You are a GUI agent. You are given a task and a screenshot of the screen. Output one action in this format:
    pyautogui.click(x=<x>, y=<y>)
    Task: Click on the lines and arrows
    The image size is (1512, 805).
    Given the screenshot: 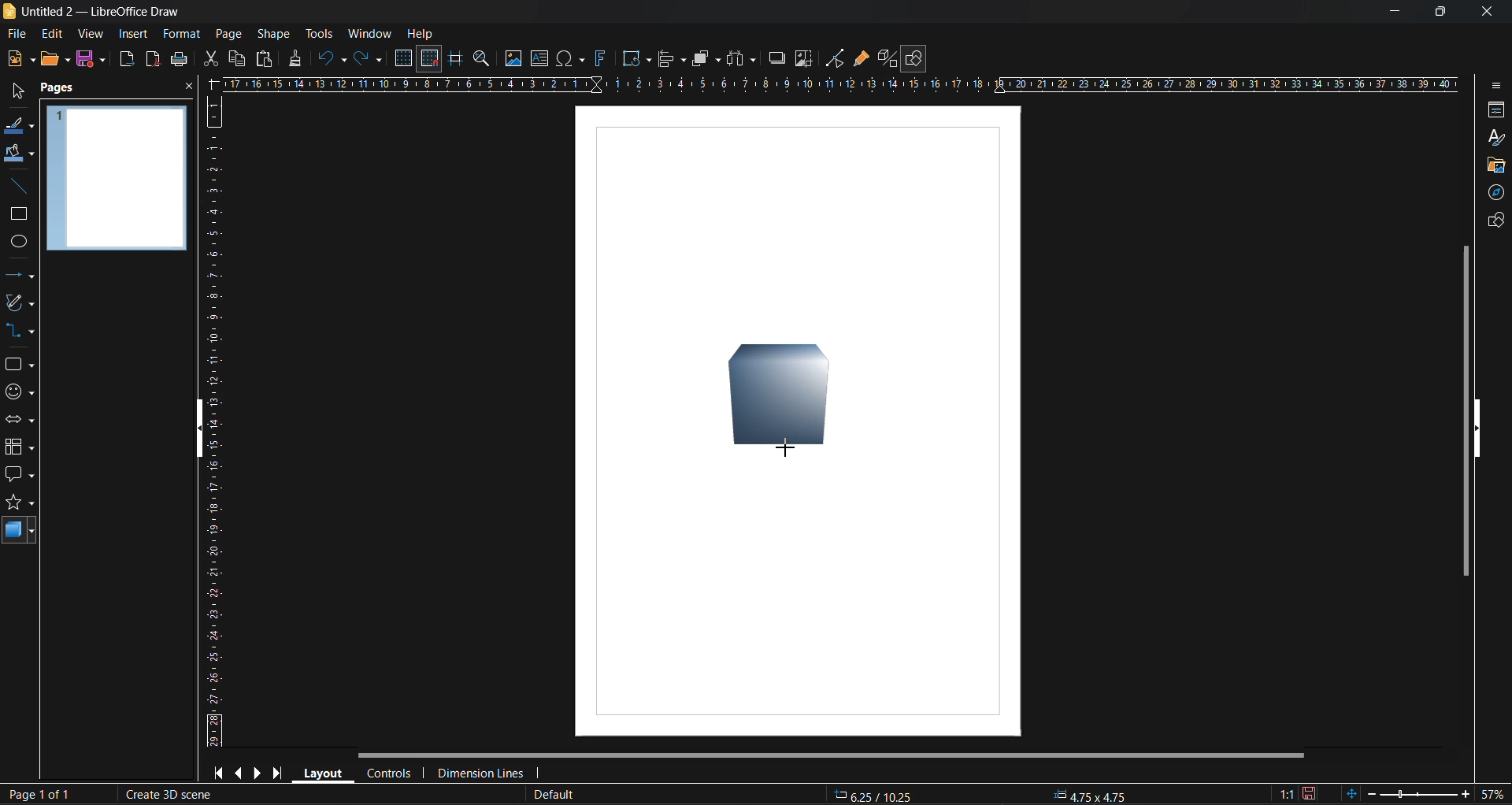 What is the action you would take?
    pyautogui.click(x=20, y=275)
    